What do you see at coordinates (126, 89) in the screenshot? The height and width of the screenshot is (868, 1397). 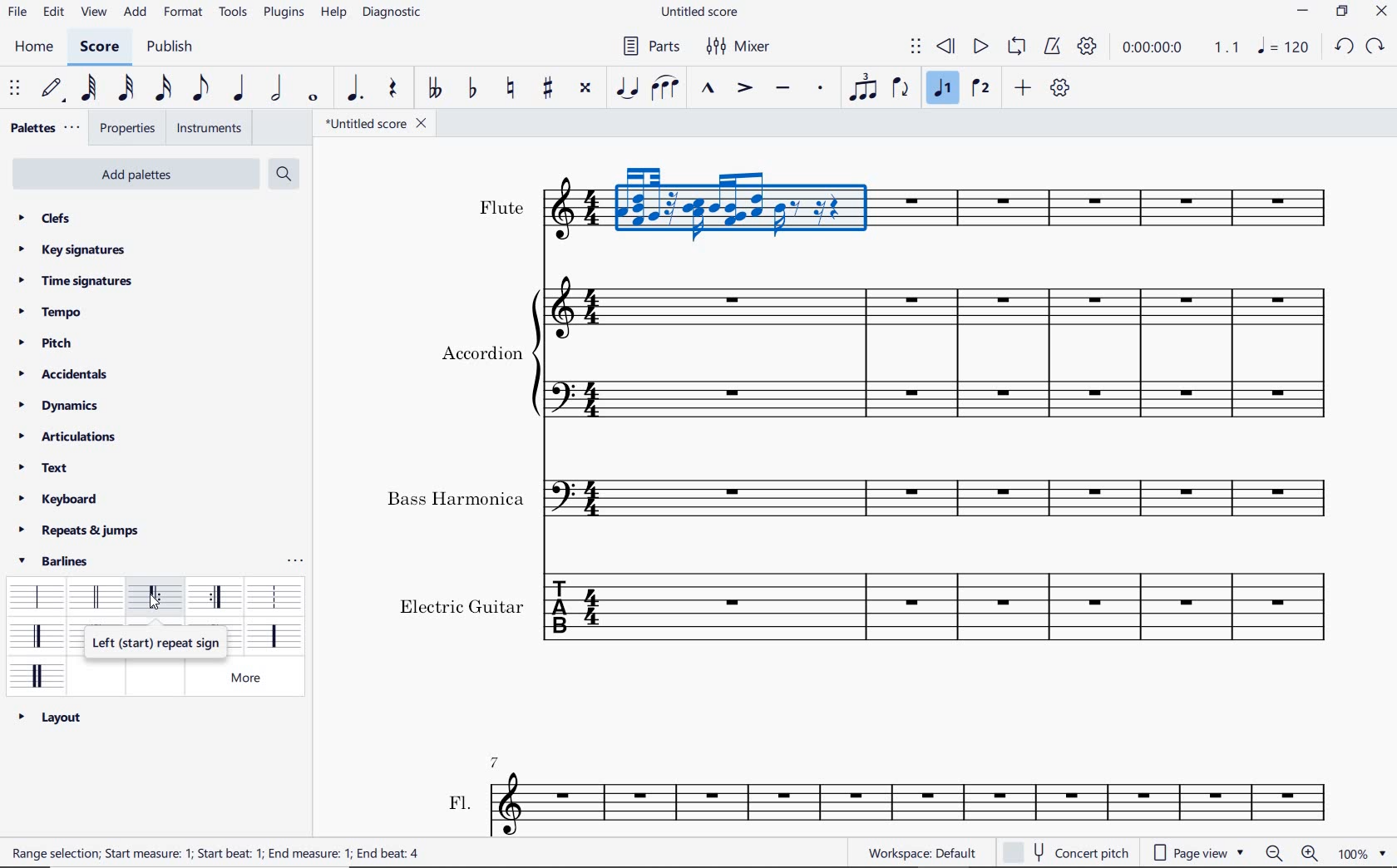 I see `32nd note` at bounding box center [126, 89].